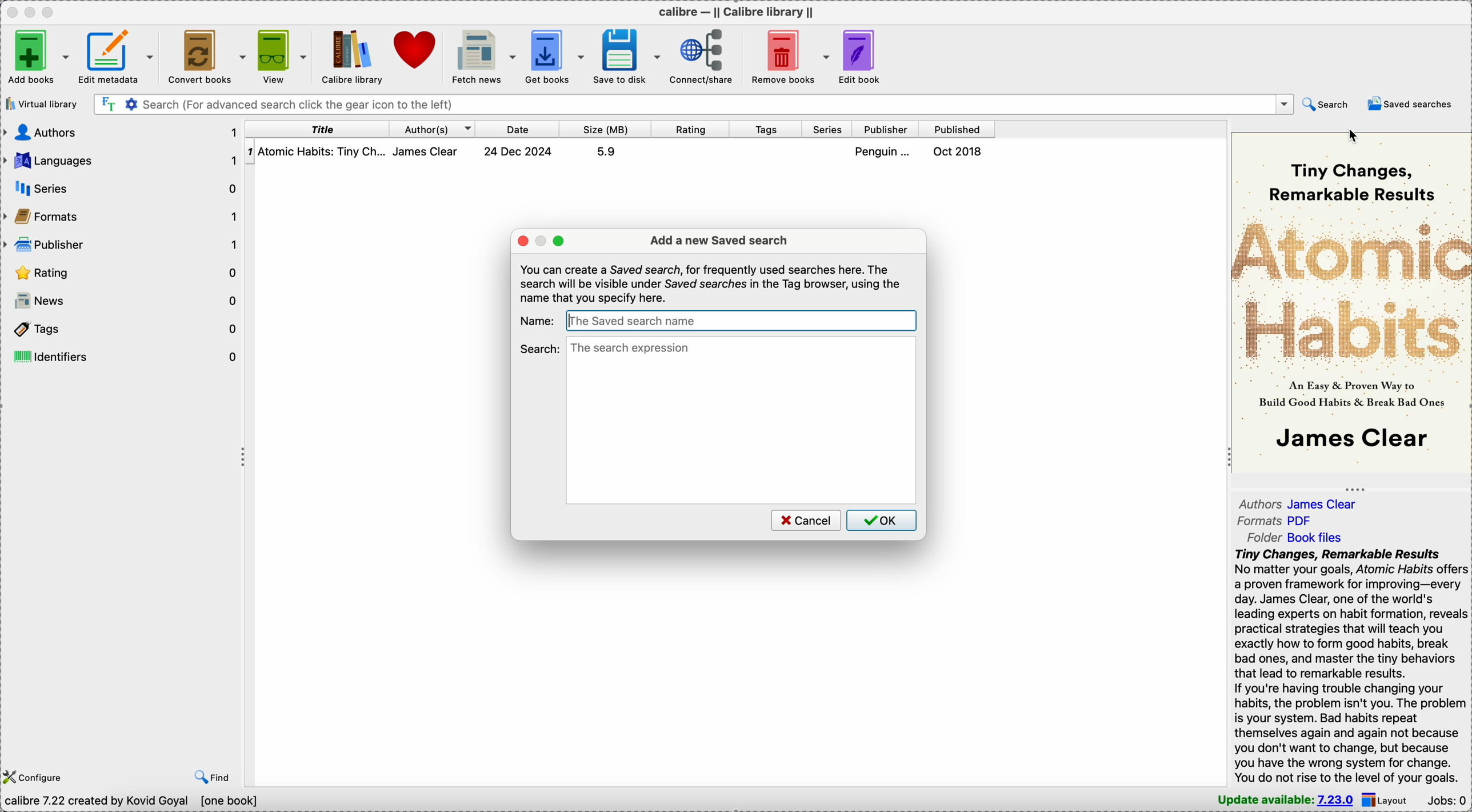  Describe the element at coordinates (205, 55) in the screenshot. I see `convert books` at that location.